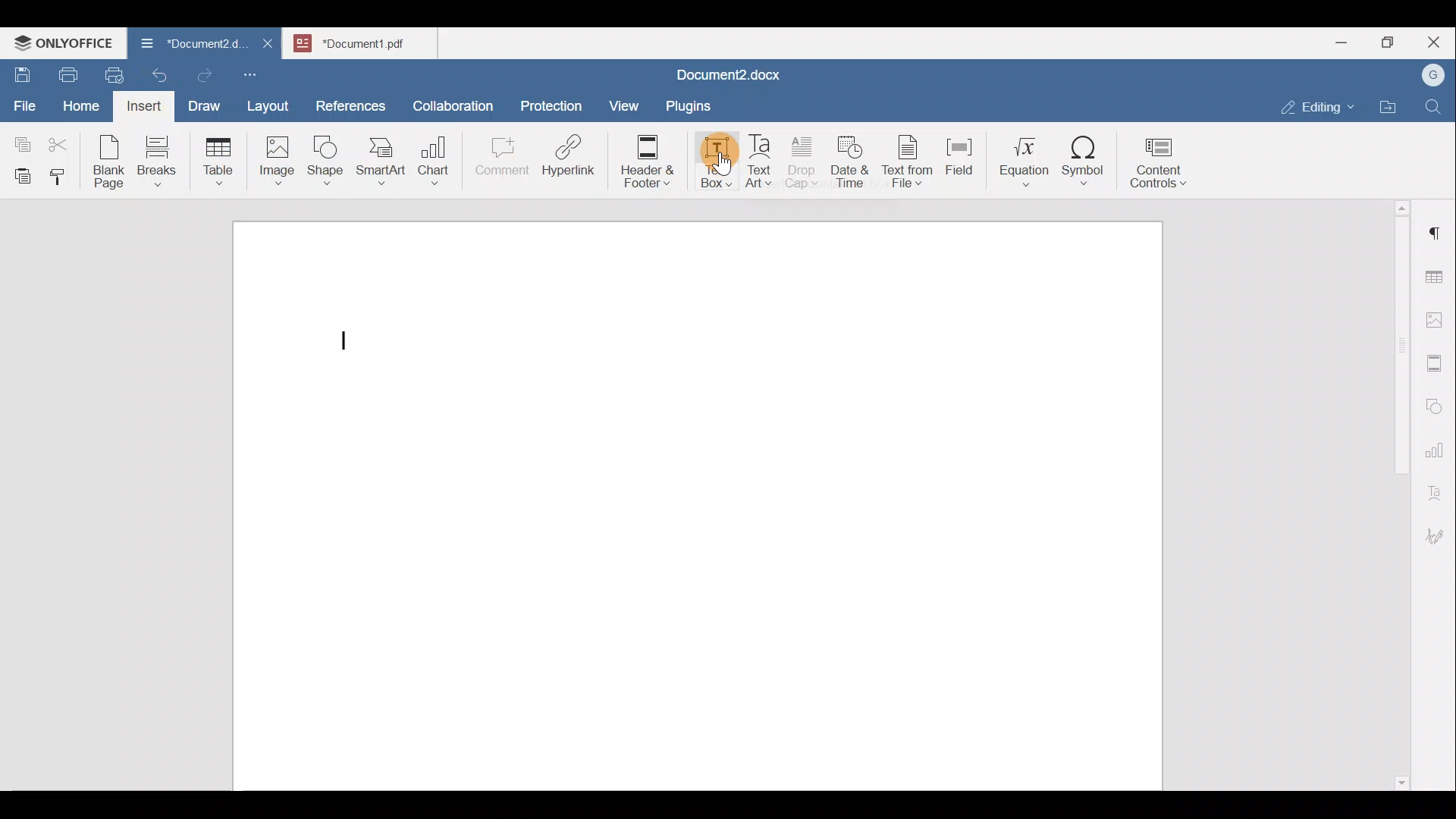 The image size is (1456, 819). I want to click on Find, so click(1435, 108).